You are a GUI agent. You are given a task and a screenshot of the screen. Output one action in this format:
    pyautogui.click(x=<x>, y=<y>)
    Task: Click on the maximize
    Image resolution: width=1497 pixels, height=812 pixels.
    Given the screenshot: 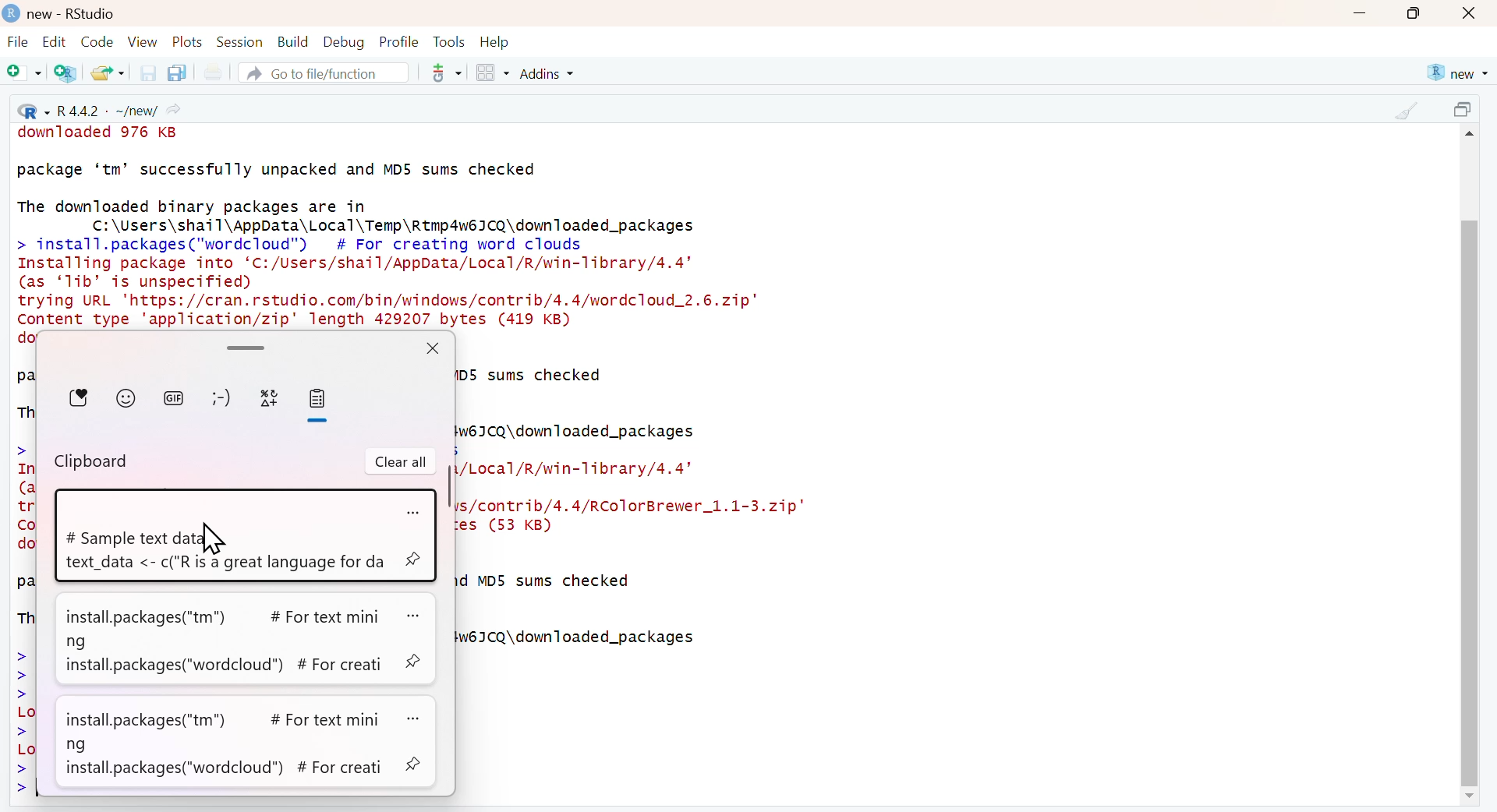 What is the action you would take?
    pyautogui.click(x=1417, y=13)
    